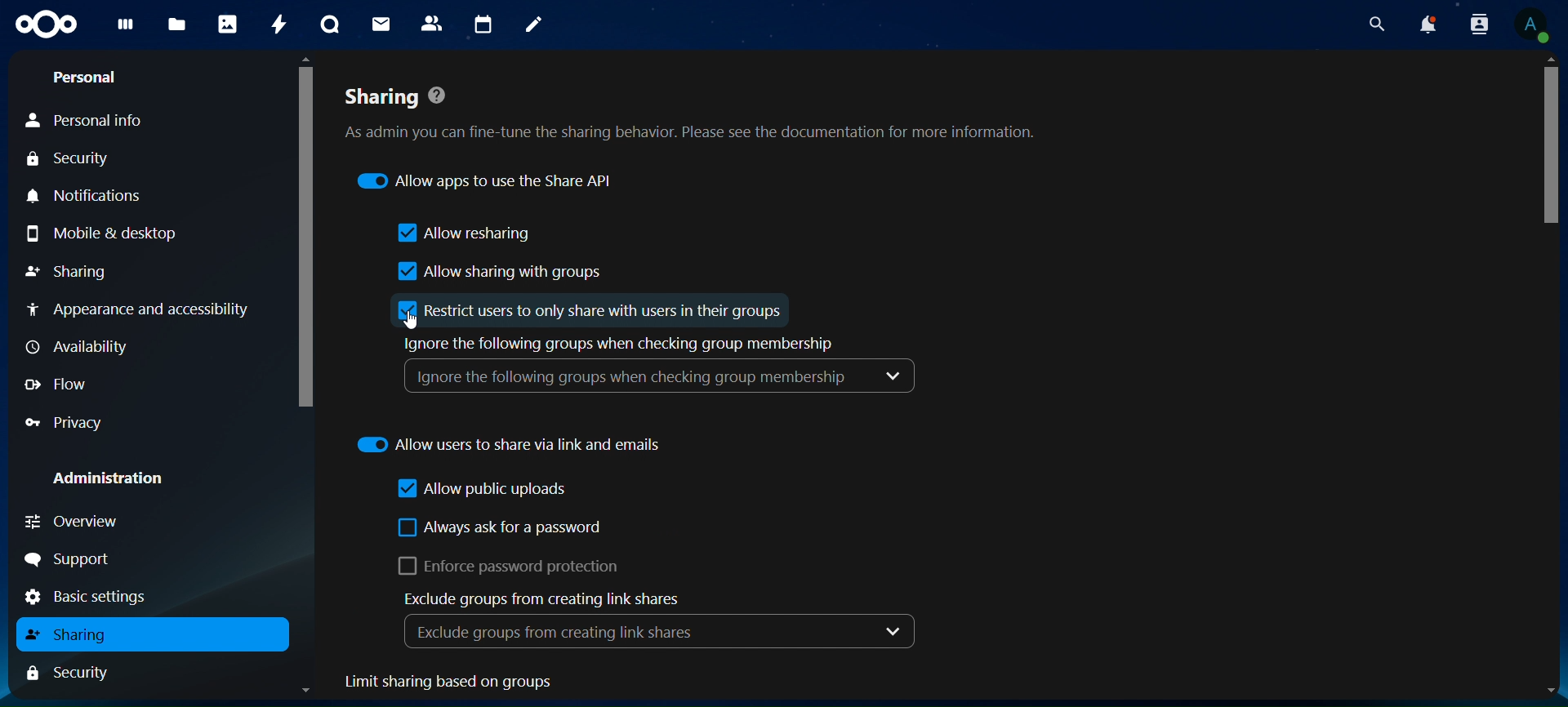  I want to click on notes, so click(537, 26).